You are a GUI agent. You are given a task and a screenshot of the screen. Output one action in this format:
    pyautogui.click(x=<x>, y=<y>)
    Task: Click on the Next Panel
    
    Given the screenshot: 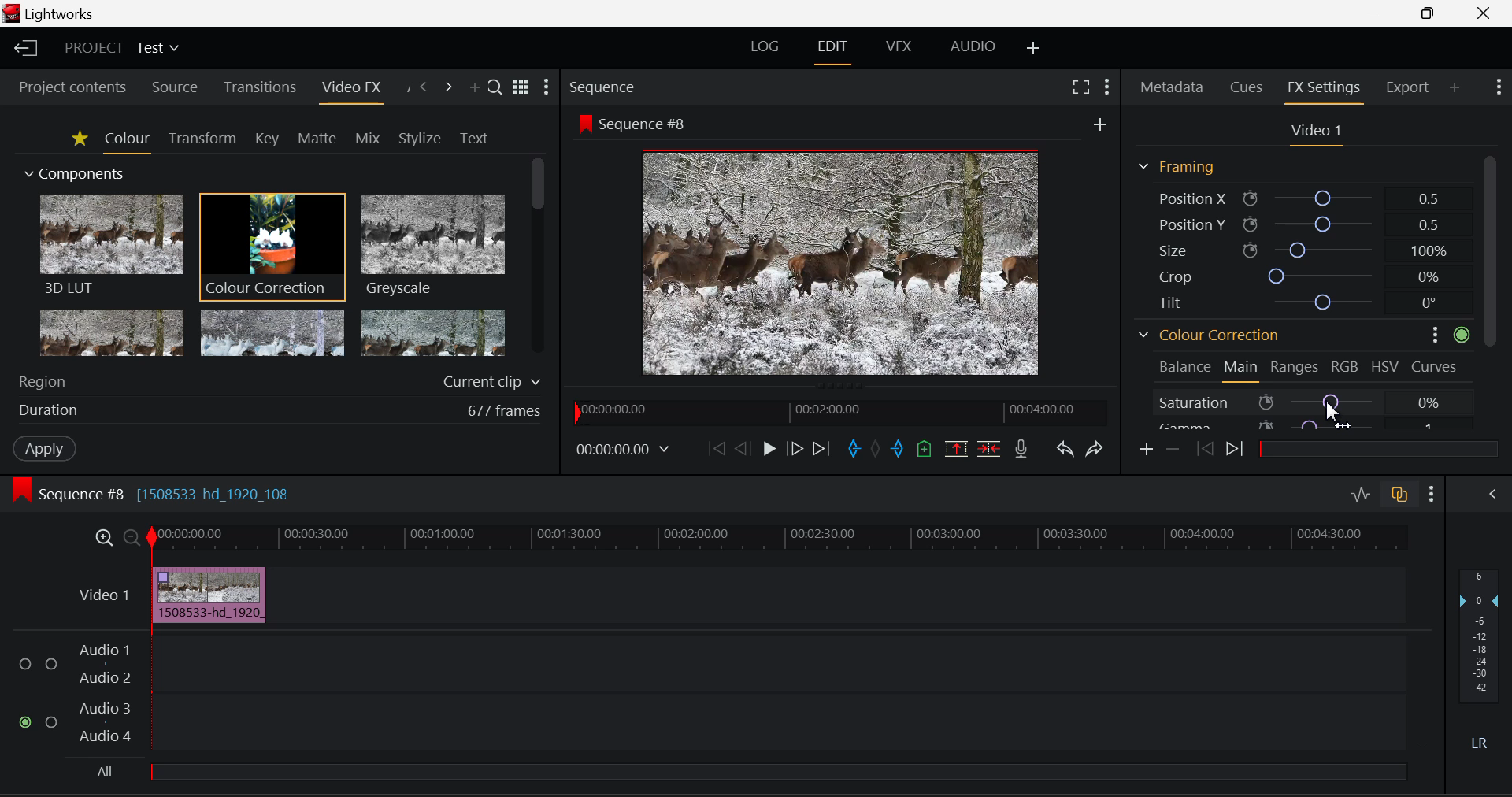 What is the action you would take?
    pyautogui.click(x=448, y=86)
    